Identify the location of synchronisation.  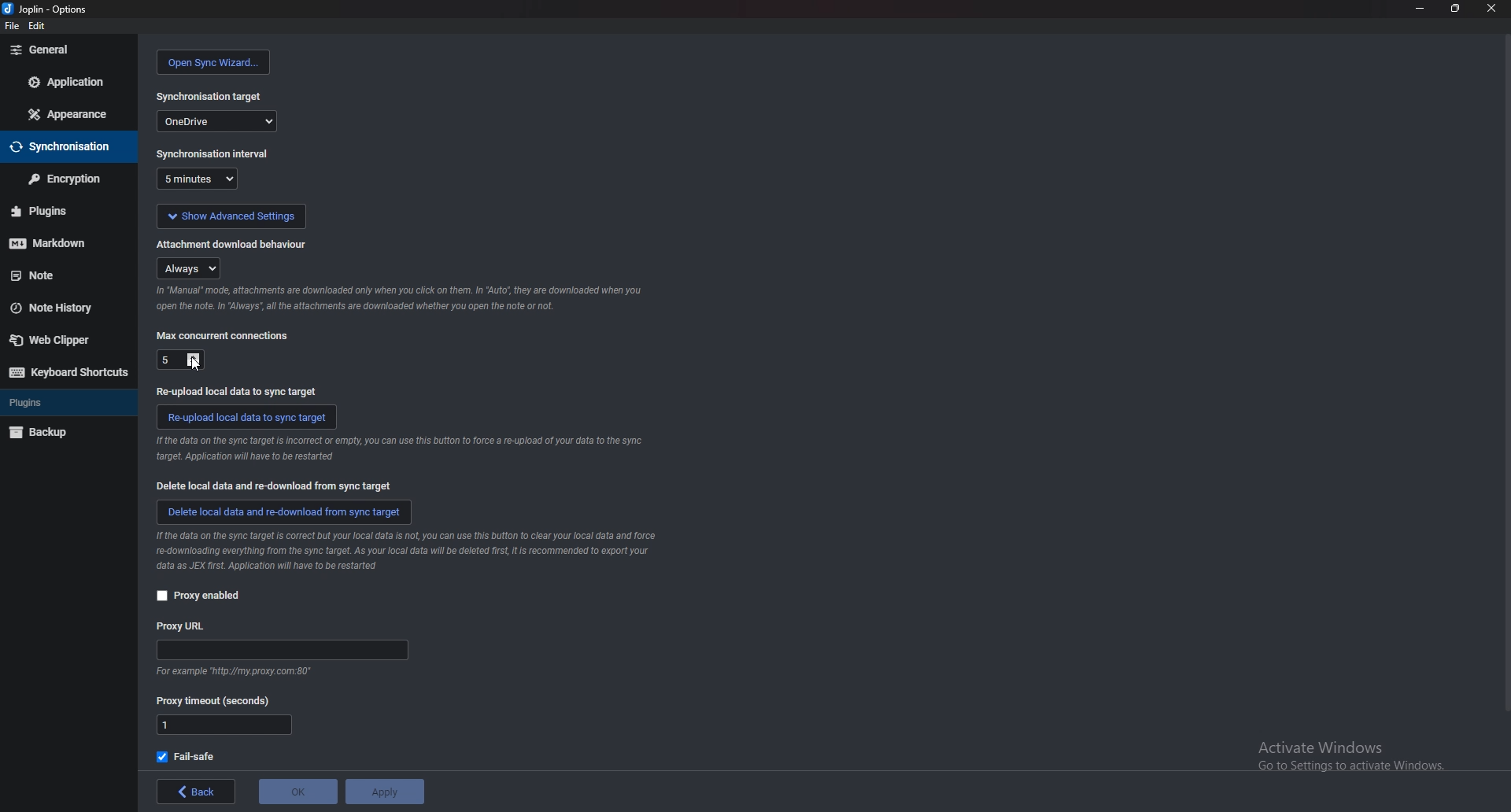
(65, 147).